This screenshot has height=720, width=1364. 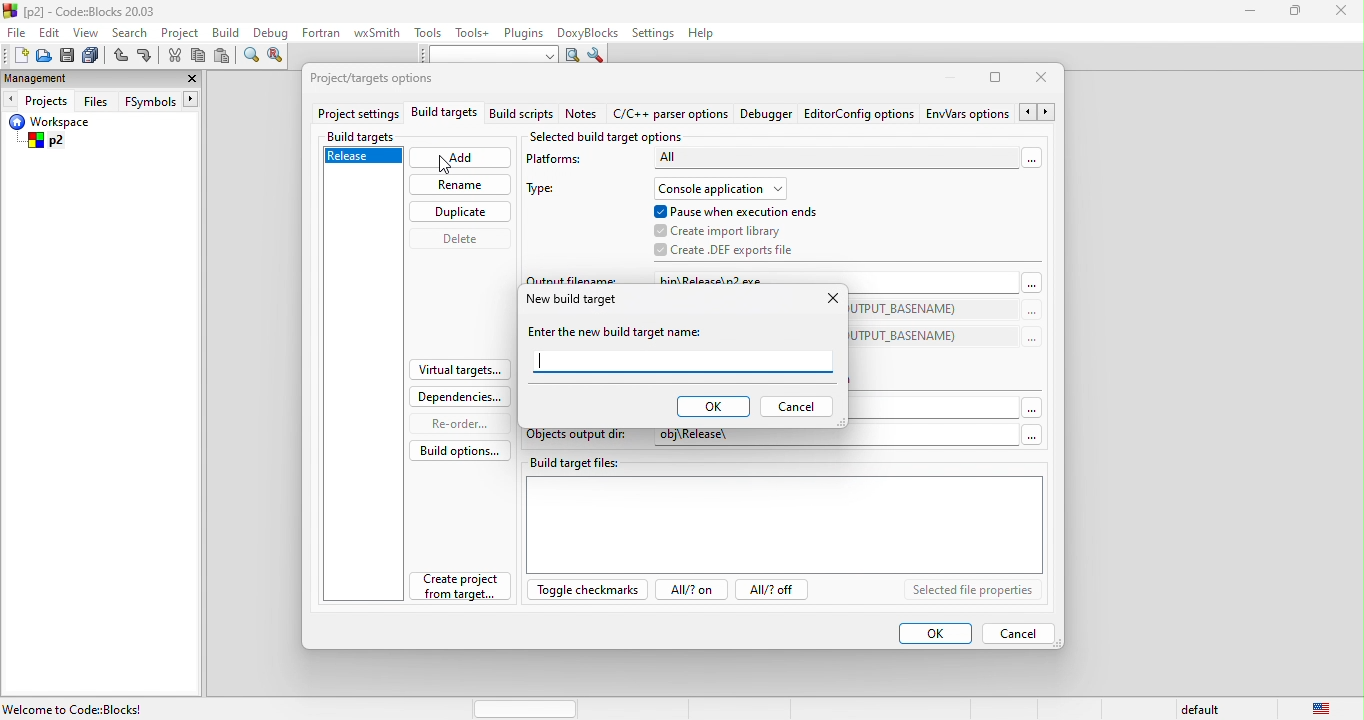 What do you see at coordinates (446, 161) in the screenshot?
I see `cursor movement` at bounding box center [446, 161].